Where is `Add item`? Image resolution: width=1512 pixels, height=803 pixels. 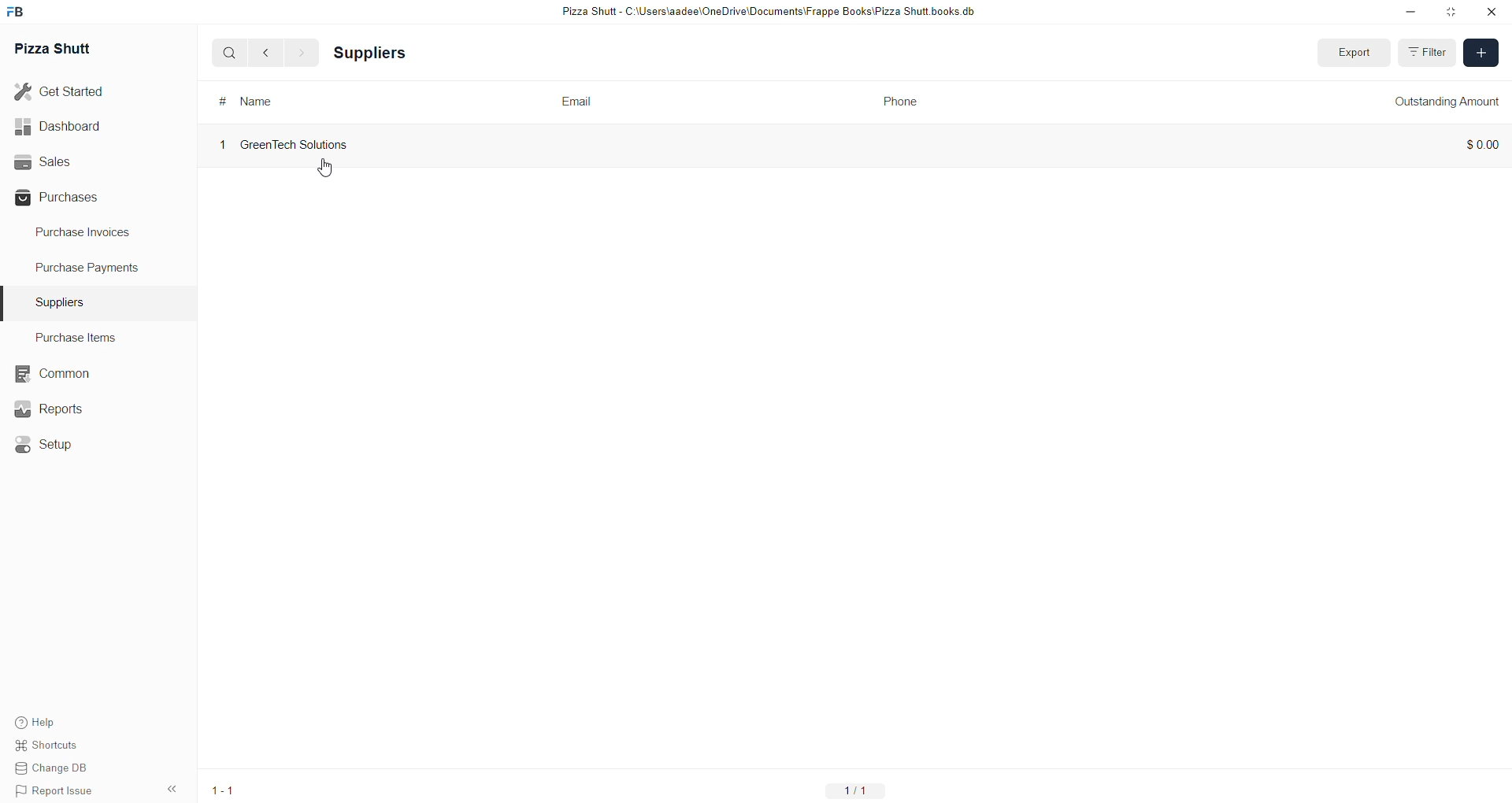 Add item is located at coordinates (1482, 52).